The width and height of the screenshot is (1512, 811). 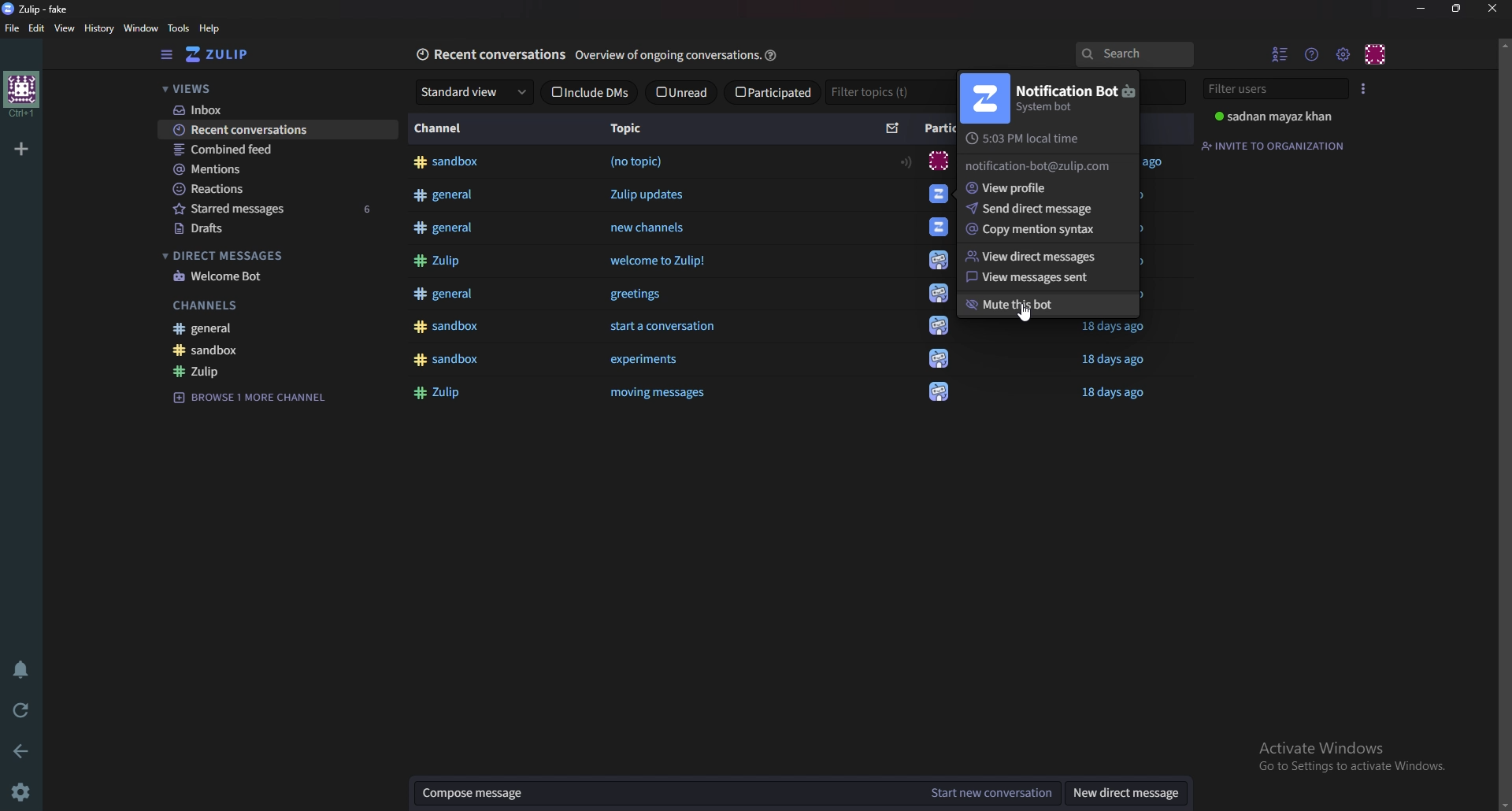 I want to click on home, so click(x=24, y=93).